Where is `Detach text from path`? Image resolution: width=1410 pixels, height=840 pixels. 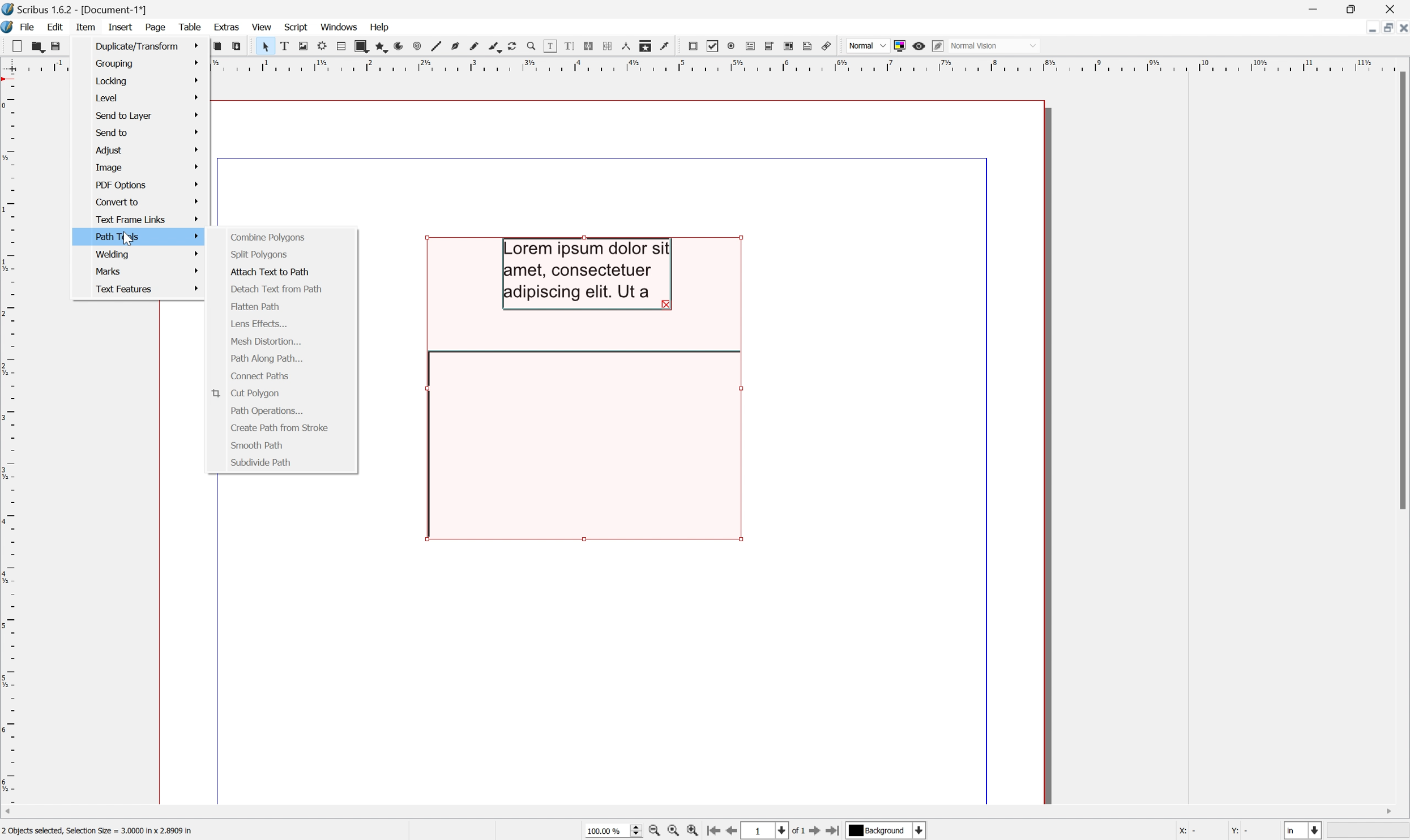
Detach text from path is located at coordinates (275, 290).